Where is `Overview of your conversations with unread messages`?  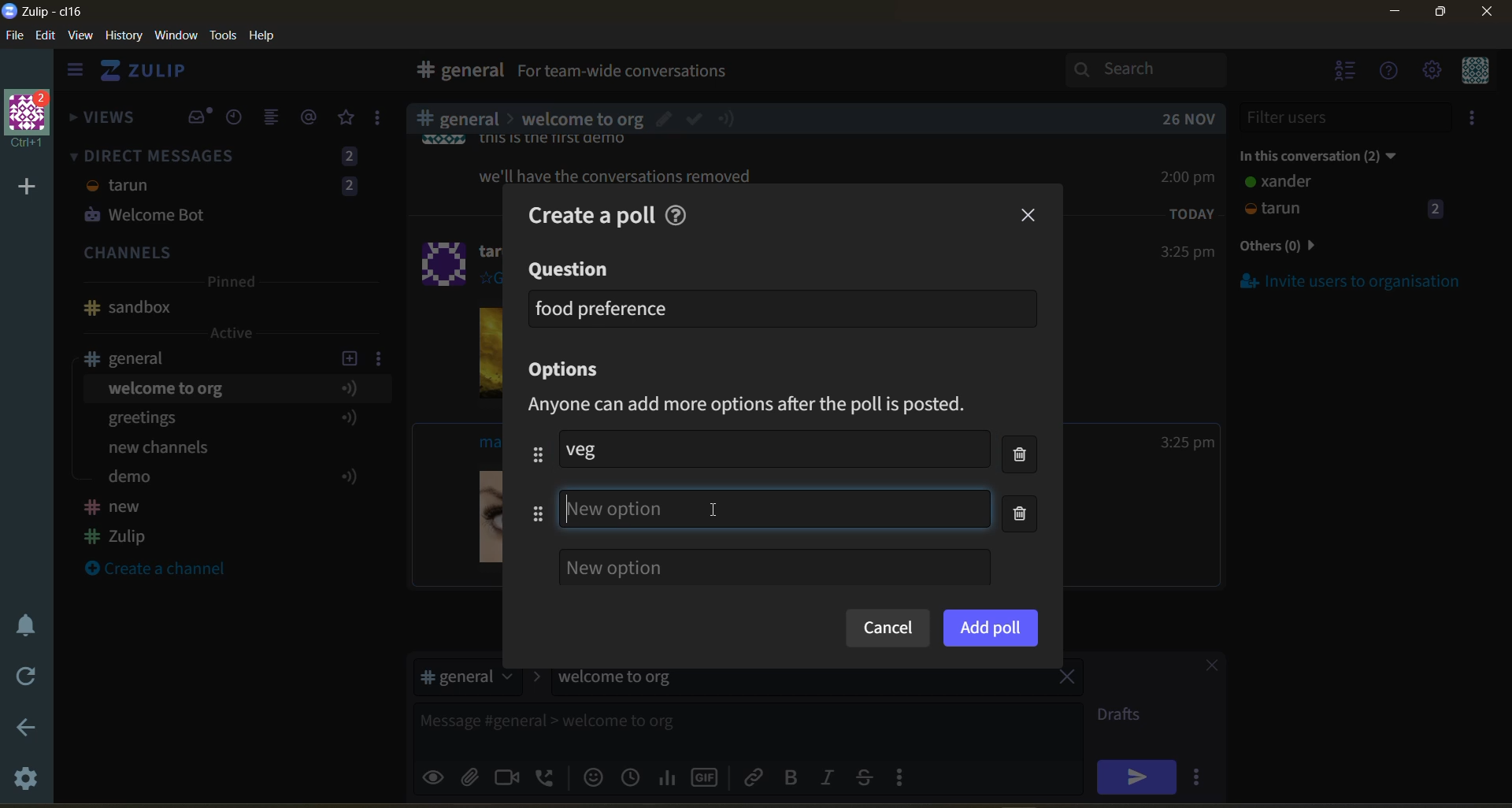 Overview of your conversations with unread messages is located at coordinates (696, 73).